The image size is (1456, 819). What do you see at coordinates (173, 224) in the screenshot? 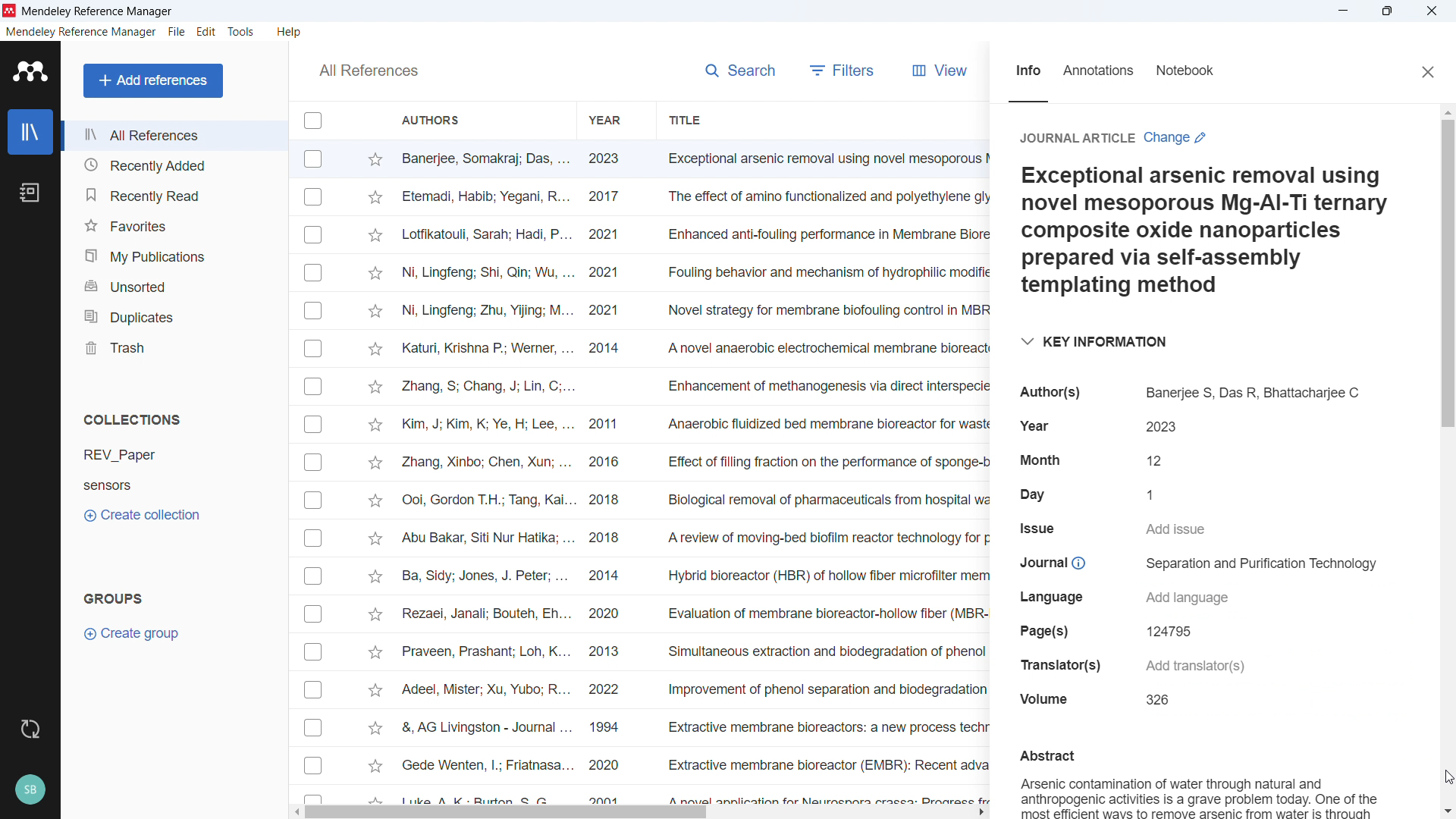
I see `favorites` at bounding box center [173, 224].